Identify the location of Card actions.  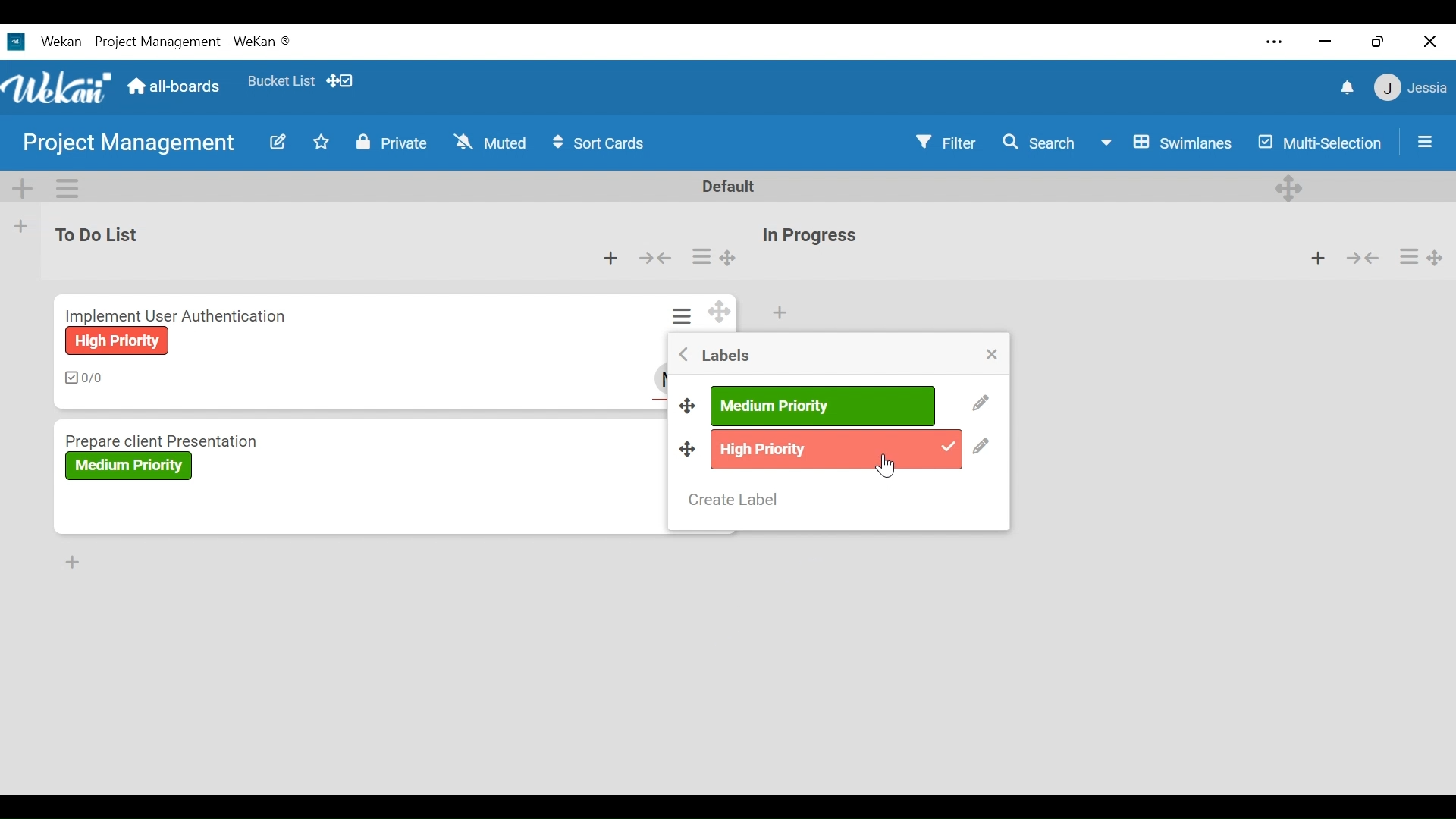
(1407, 257).